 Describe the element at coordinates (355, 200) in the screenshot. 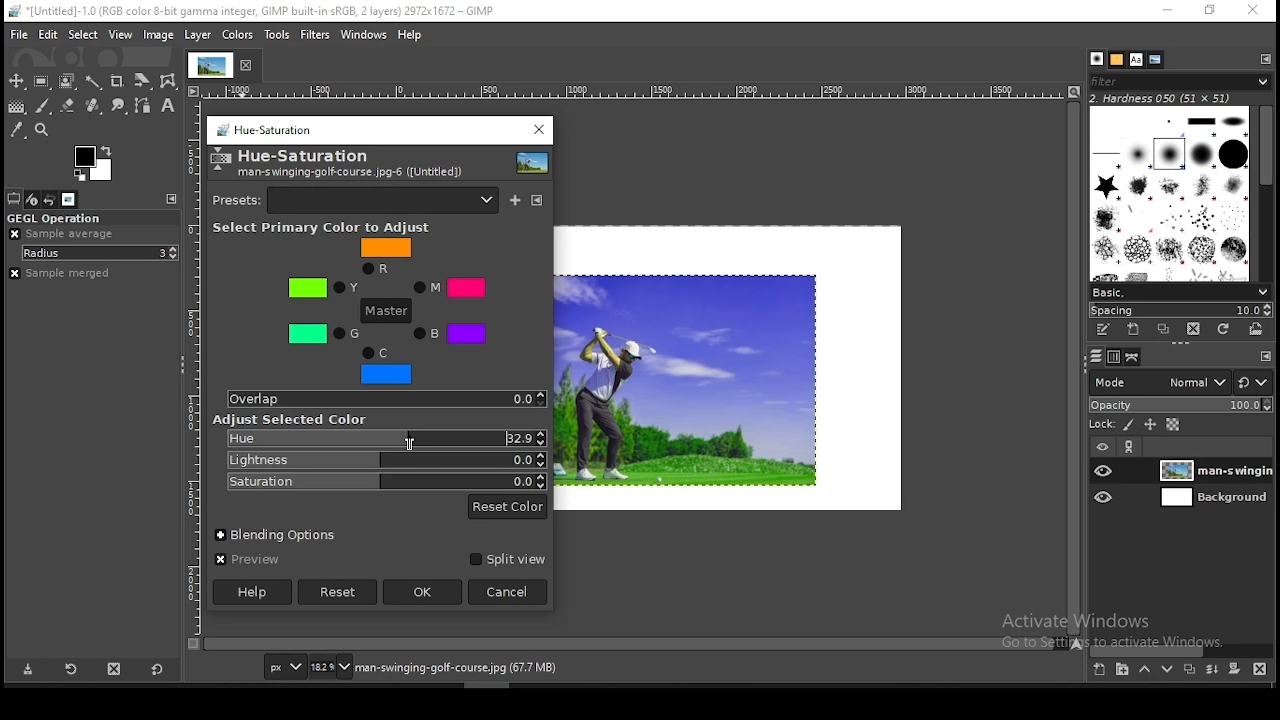

I see `presets` at that location.